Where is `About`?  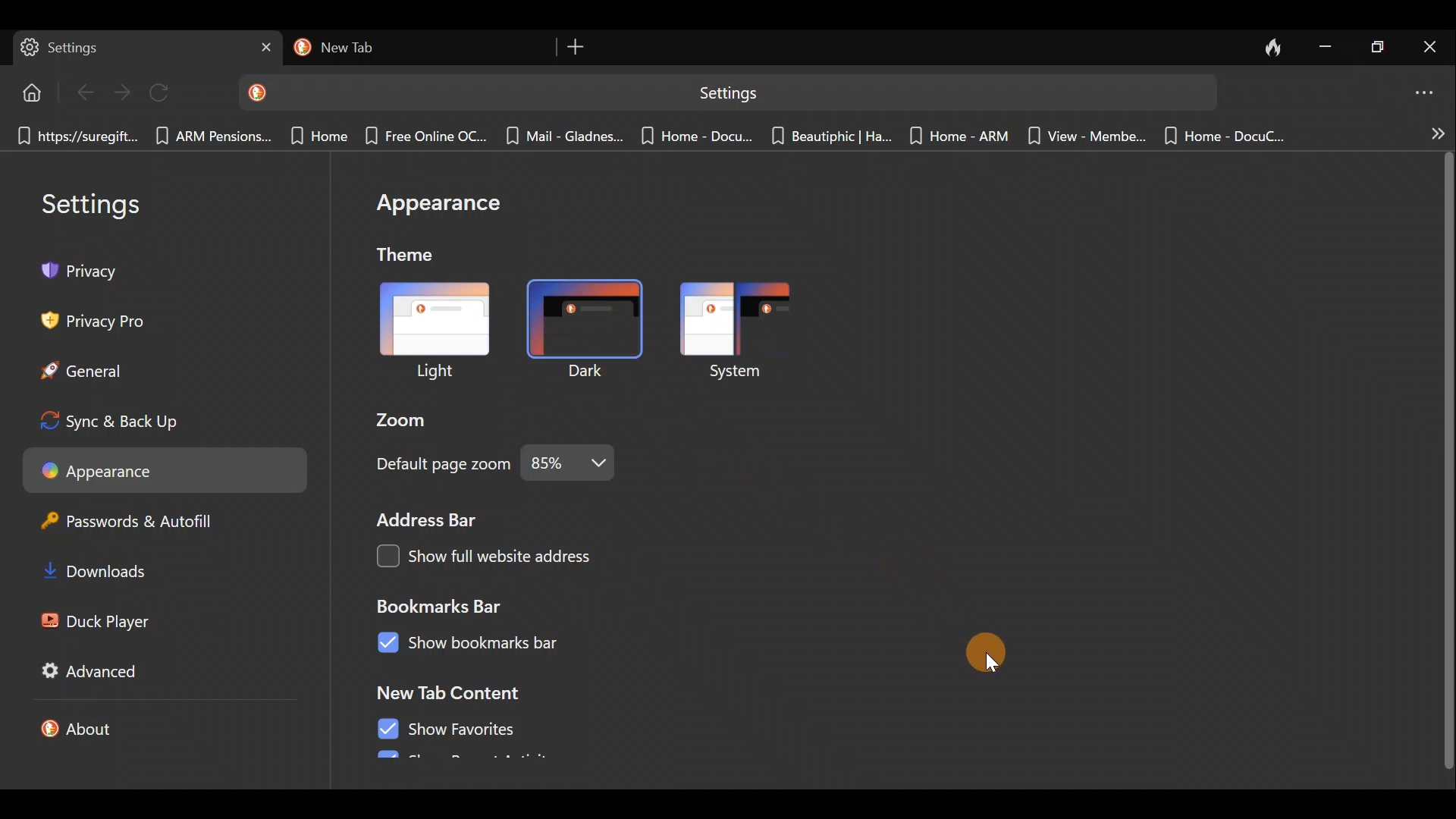 About is located at coordinates (96, 726).